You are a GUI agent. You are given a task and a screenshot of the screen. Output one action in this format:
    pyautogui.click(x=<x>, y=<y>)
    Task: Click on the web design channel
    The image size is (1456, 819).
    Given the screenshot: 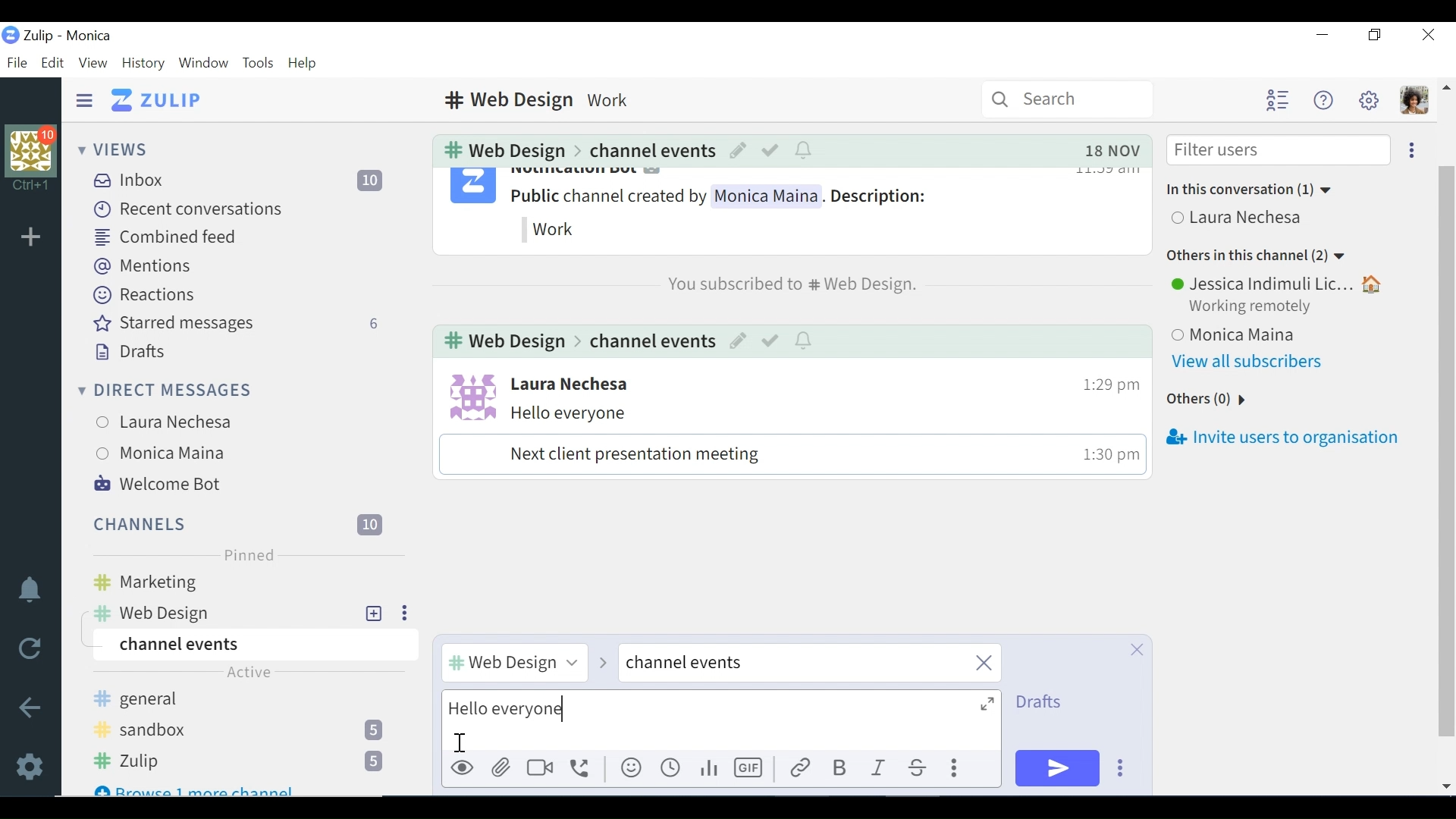 What is the action you would take?
    pyautogui.click(x=502, y=343)
    